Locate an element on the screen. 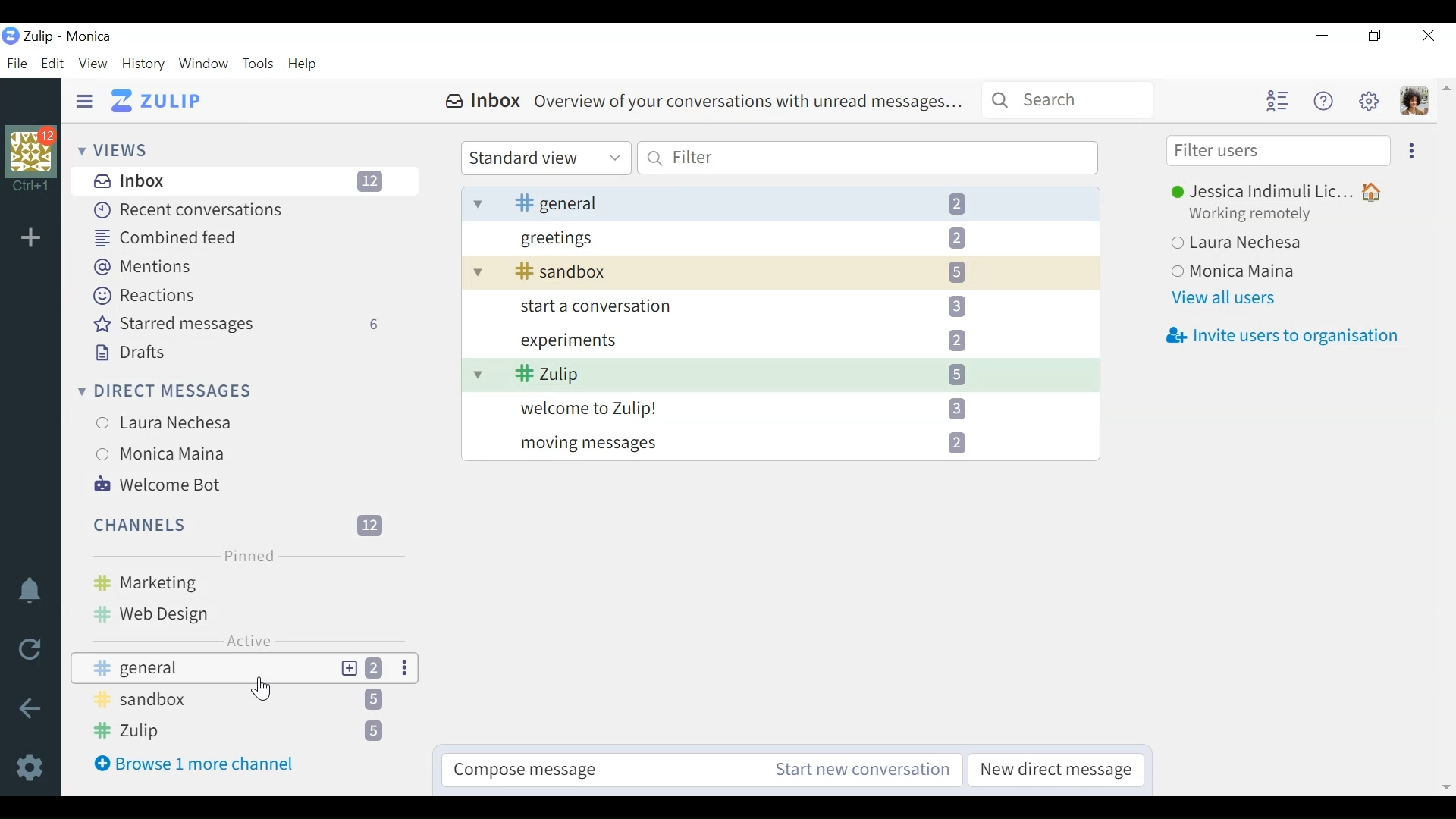 The height and width of the screenshot is (819, 1456). Starred messages 6 is located at coordinates (242, 325).